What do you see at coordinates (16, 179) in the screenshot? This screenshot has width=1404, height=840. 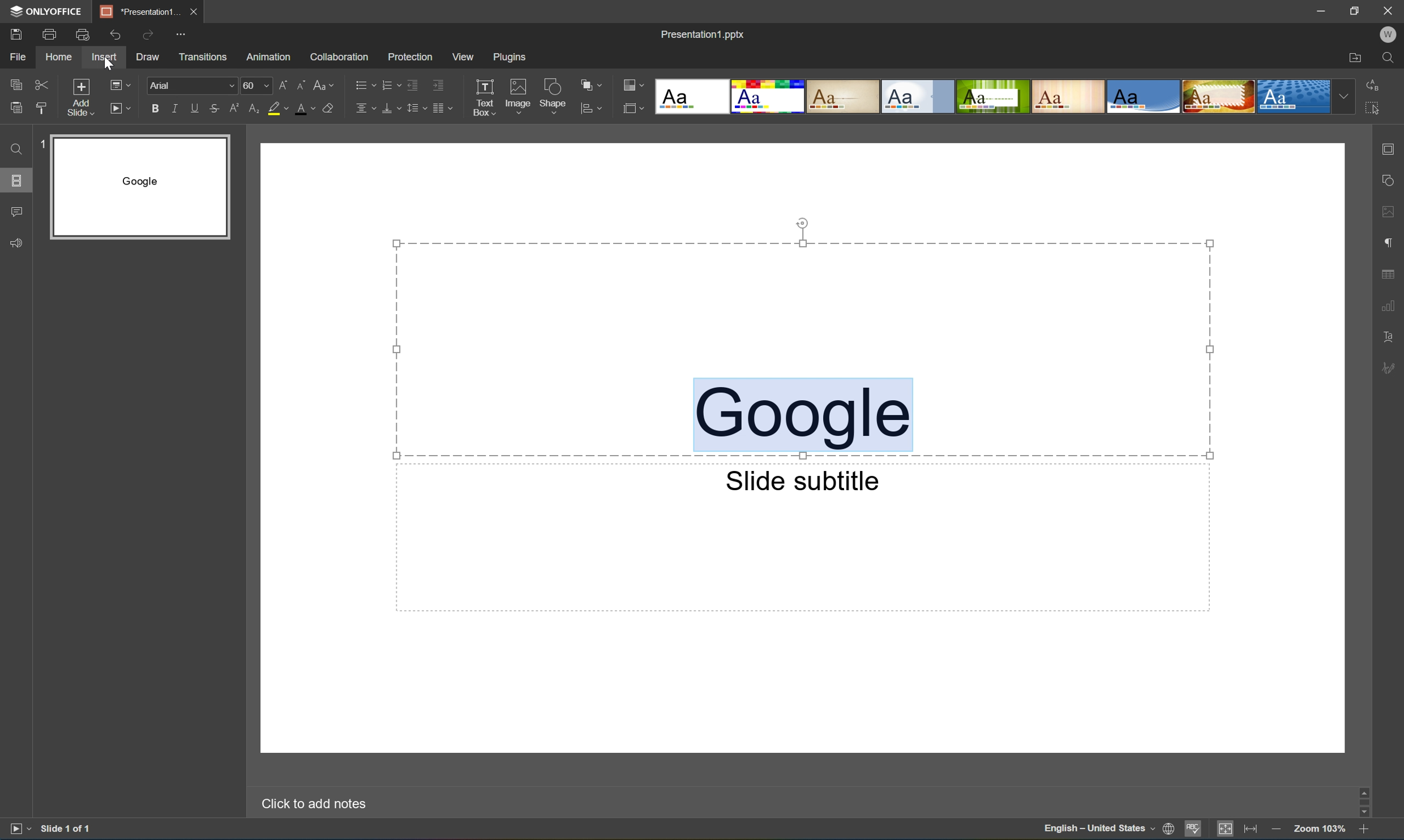 I see `Slides` at bounding box center [16, 179].